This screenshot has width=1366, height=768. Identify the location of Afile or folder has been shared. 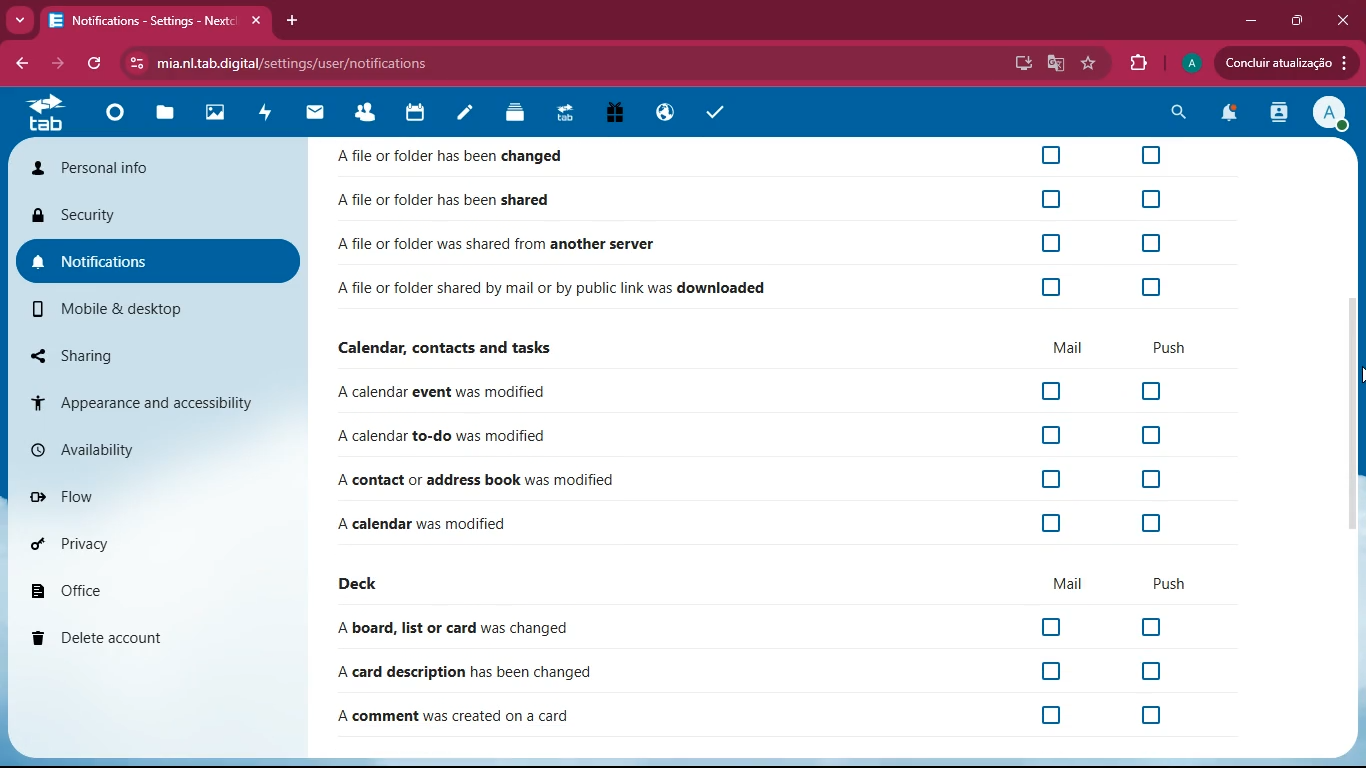
(458, 204).